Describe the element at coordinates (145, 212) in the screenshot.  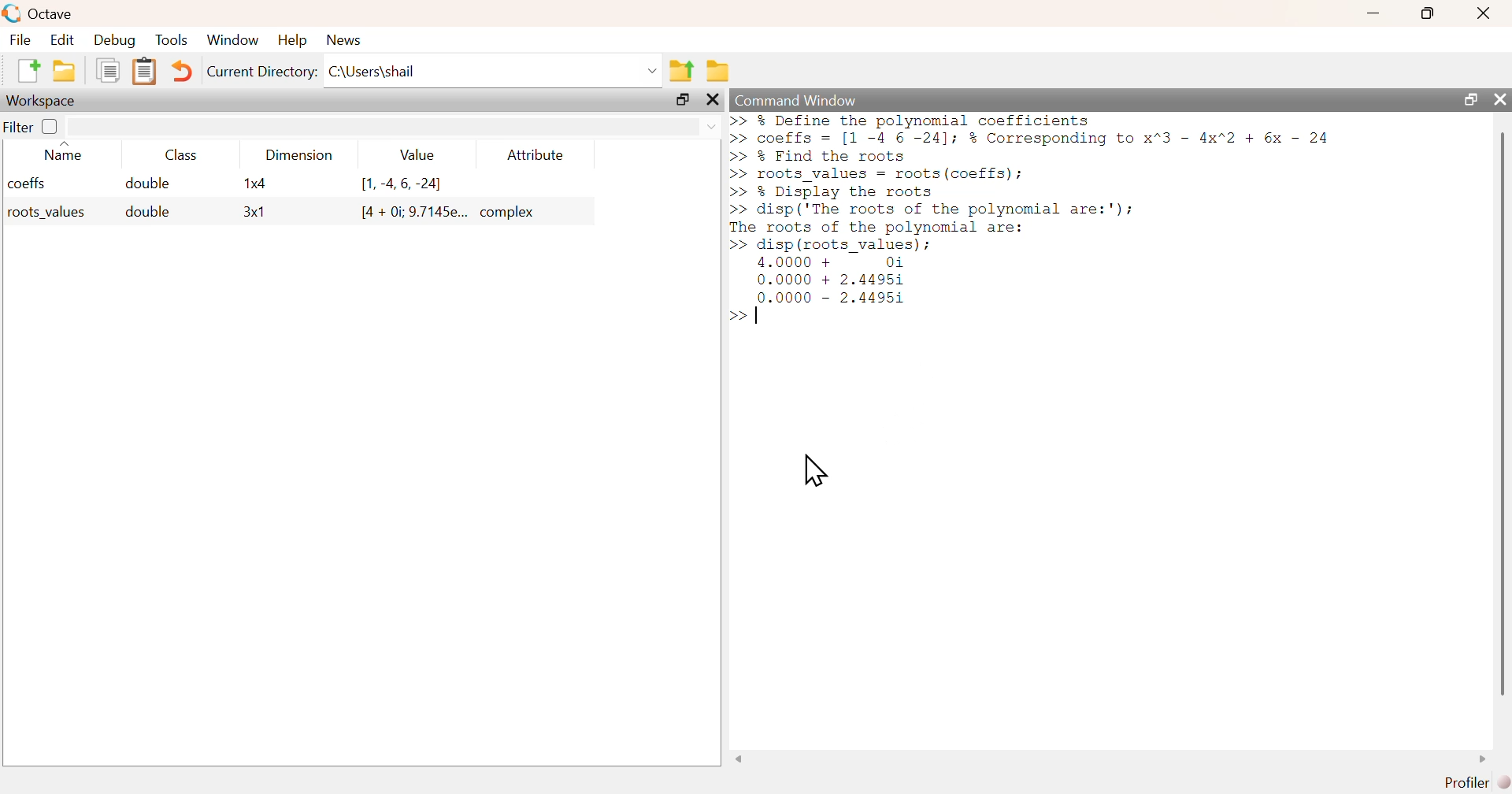
I see `double` at that location.